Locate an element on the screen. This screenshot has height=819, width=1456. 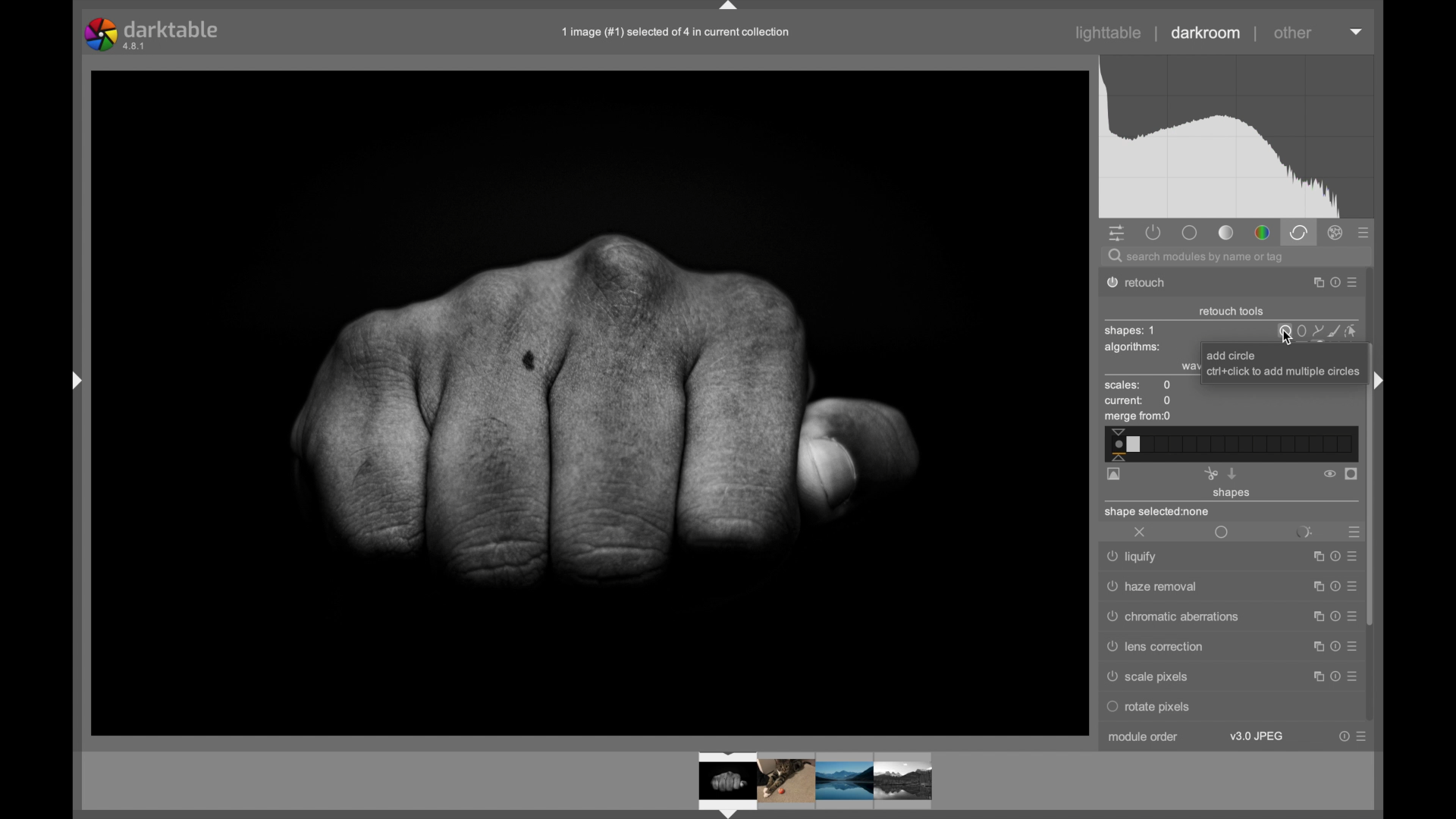
dropdown menu is located at coordinates (1357, 30).